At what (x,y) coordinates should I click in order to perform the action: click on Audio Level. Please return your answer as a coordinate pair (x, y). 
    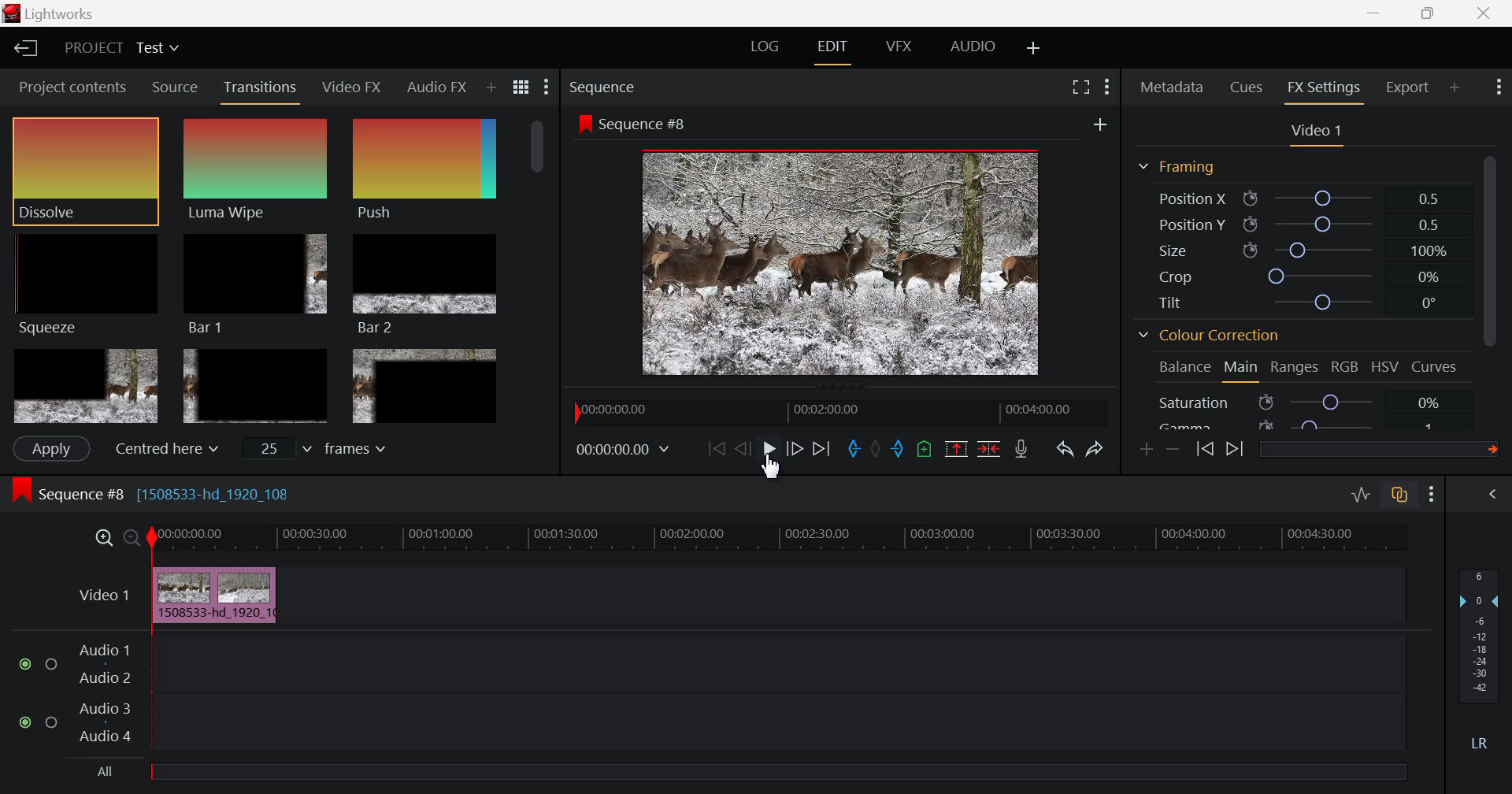
    Looking at the image, I should click on (1484, 661).